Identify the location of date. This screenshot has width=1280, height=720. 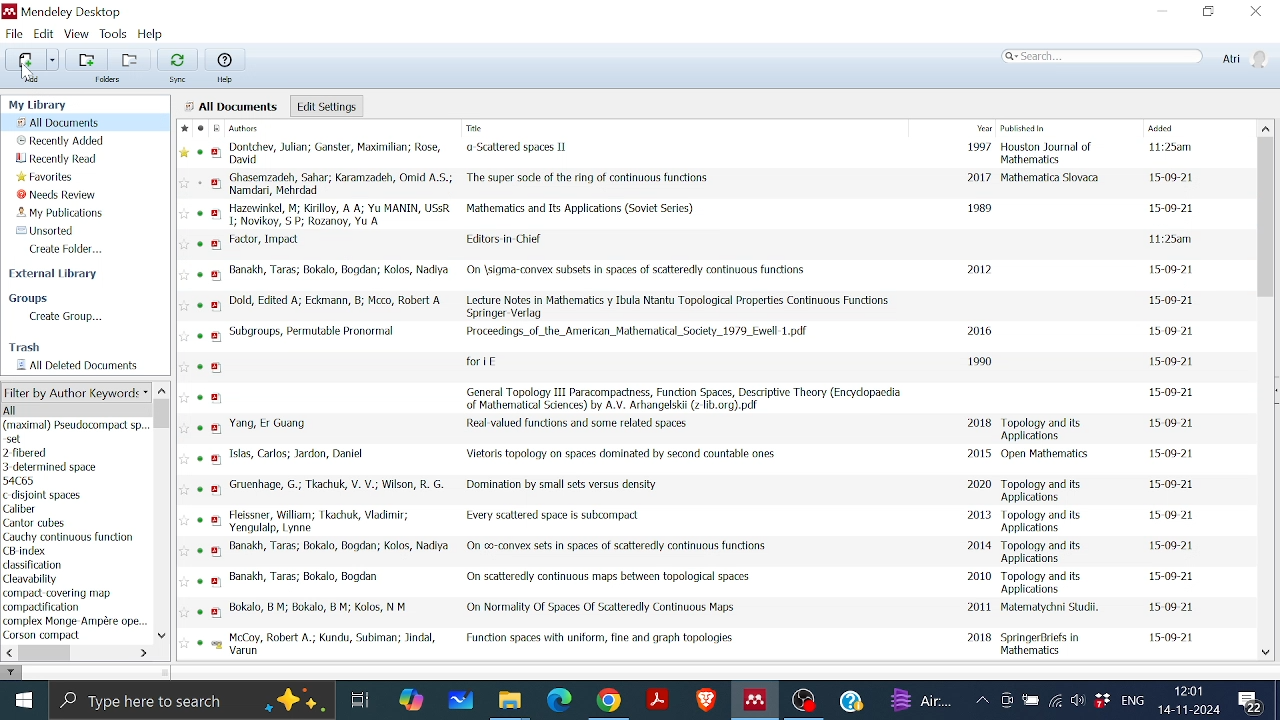
(1172, 148).